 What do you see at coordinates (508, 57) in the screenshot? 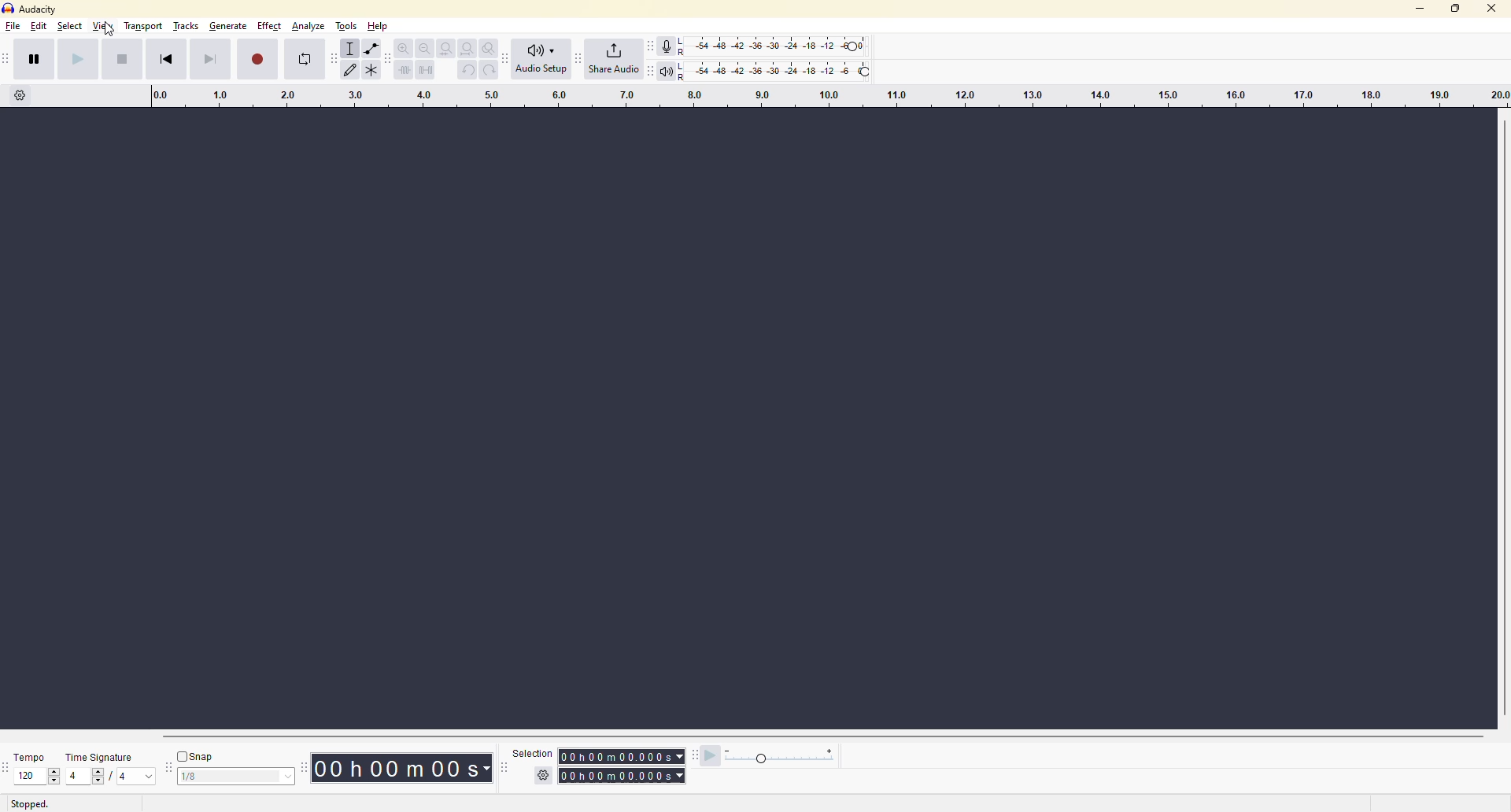
I see `audacity tools toolbar` at bounding box center [508, 57].